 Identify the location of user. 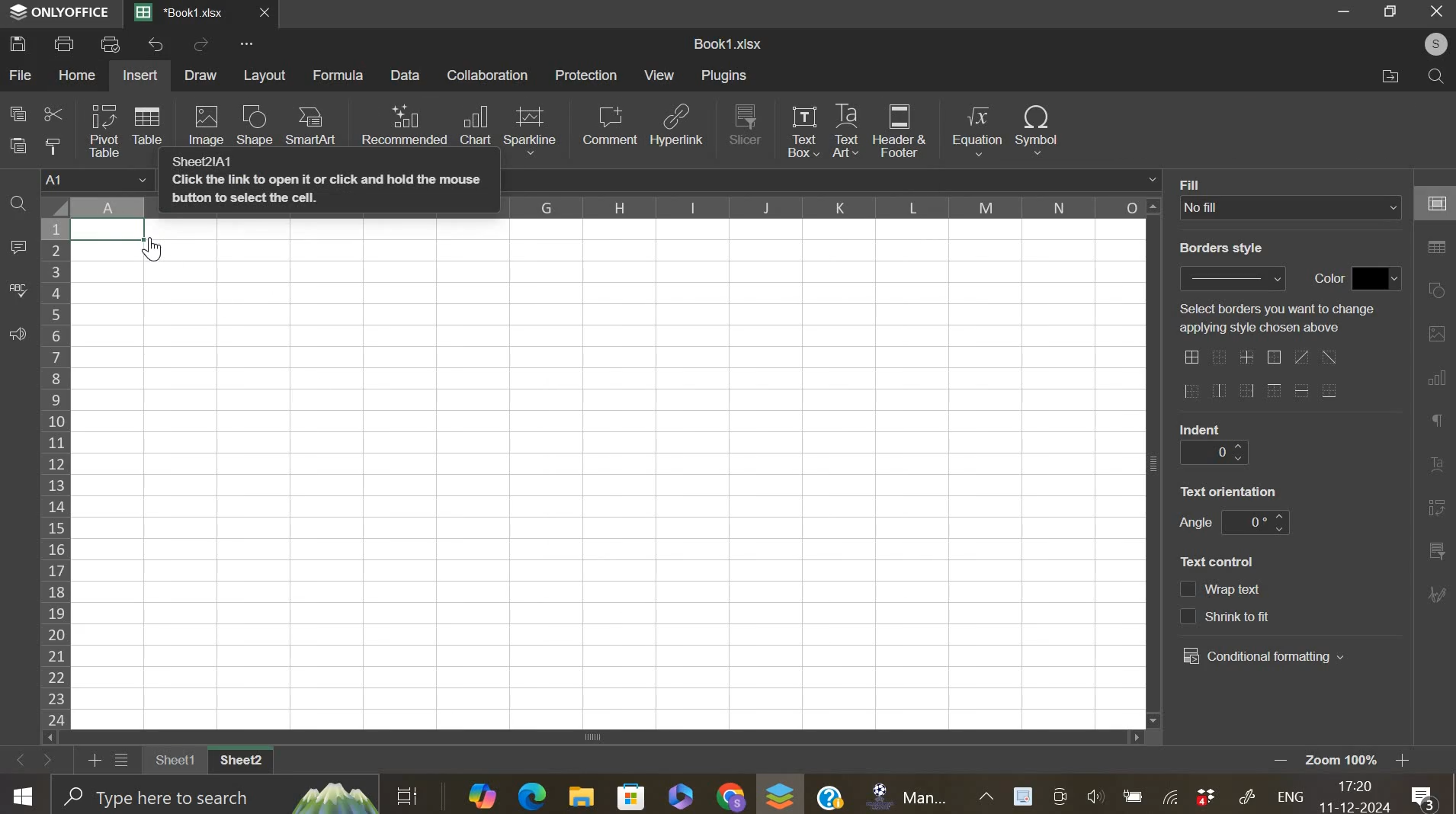
(1429, 43).